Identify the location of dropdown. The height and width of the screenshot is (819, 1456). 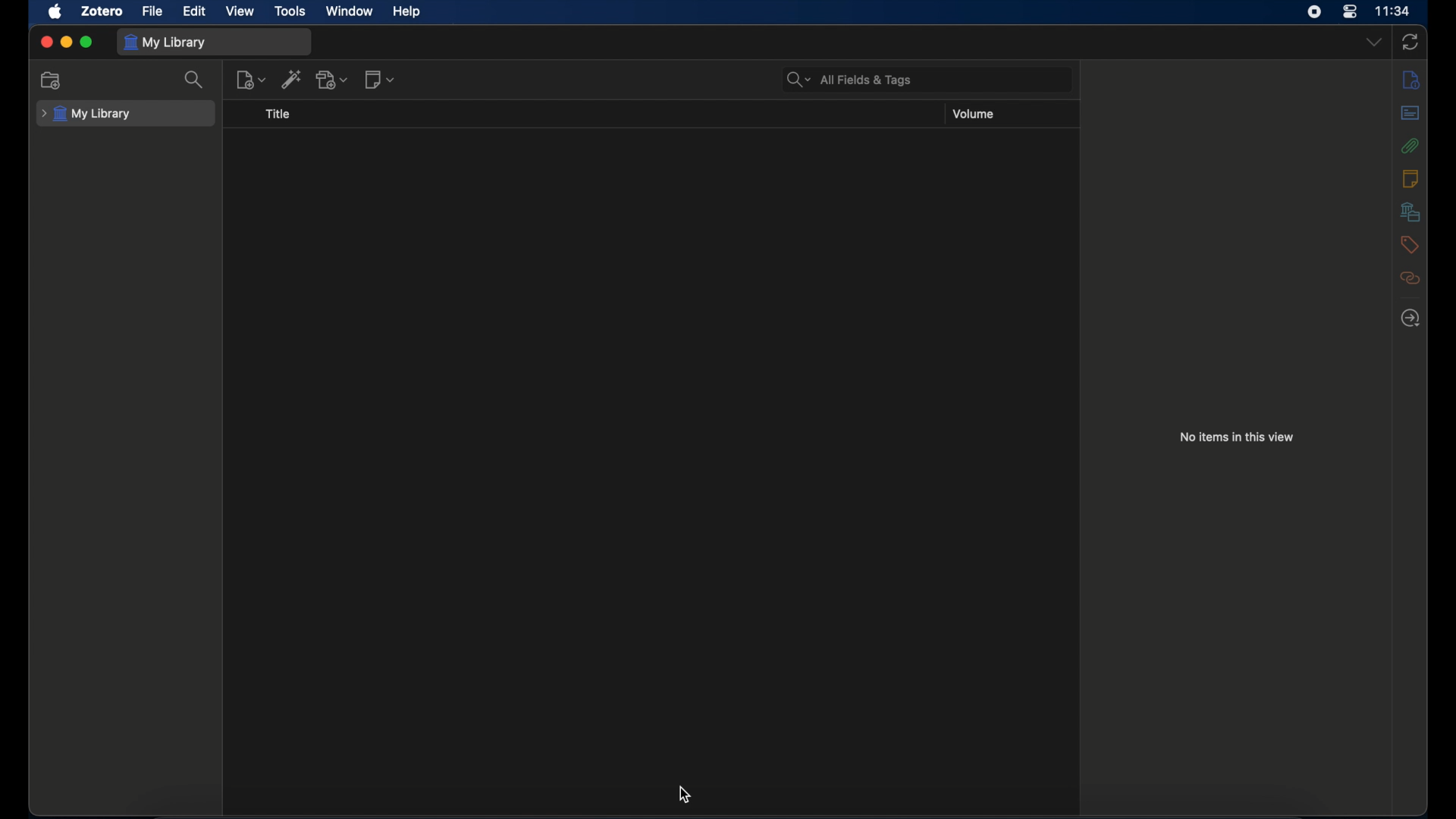
(1373, 42).